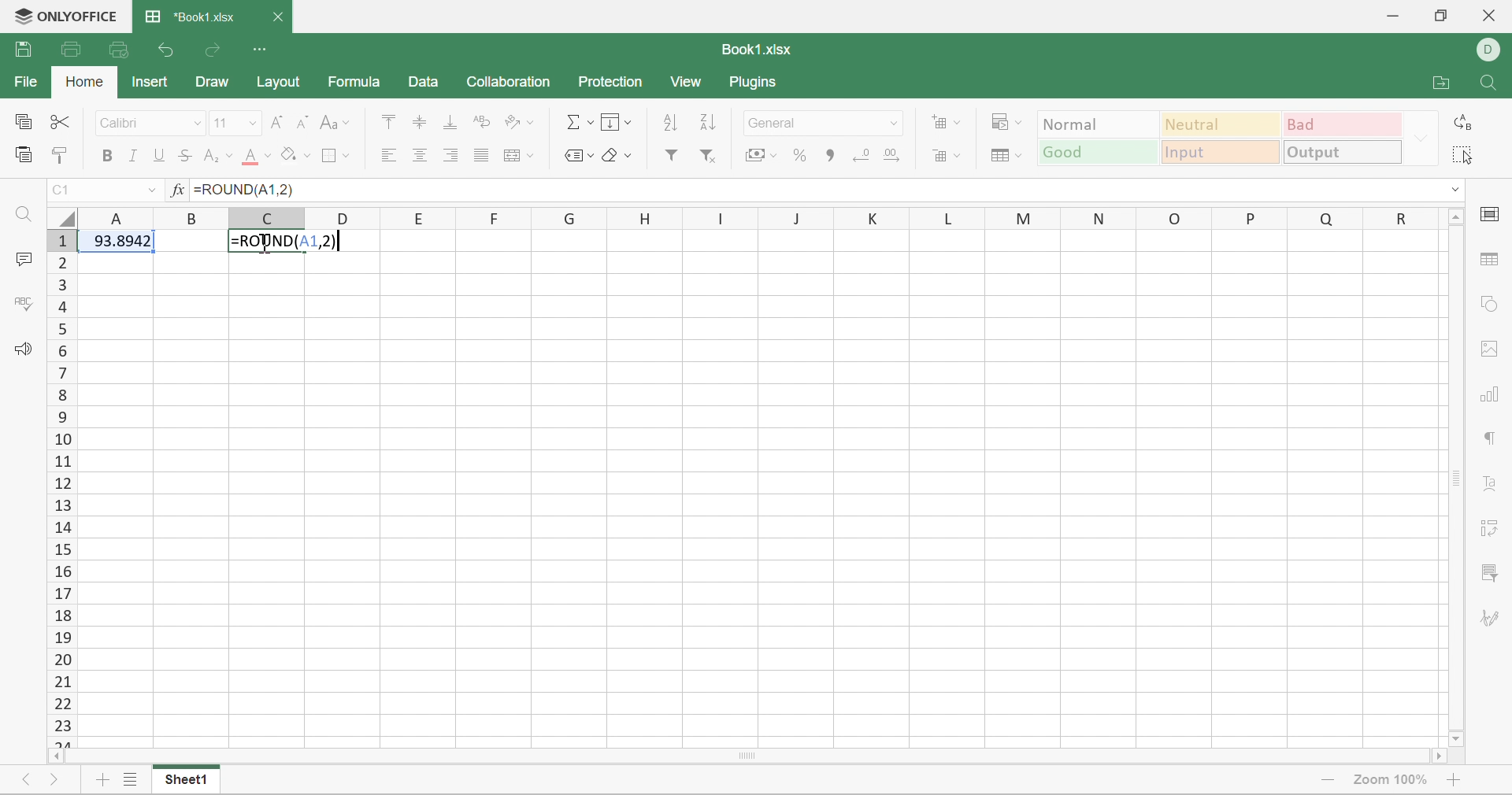 The image size is (1512, 795). I want to click on Drop Down, so click(152, 189).